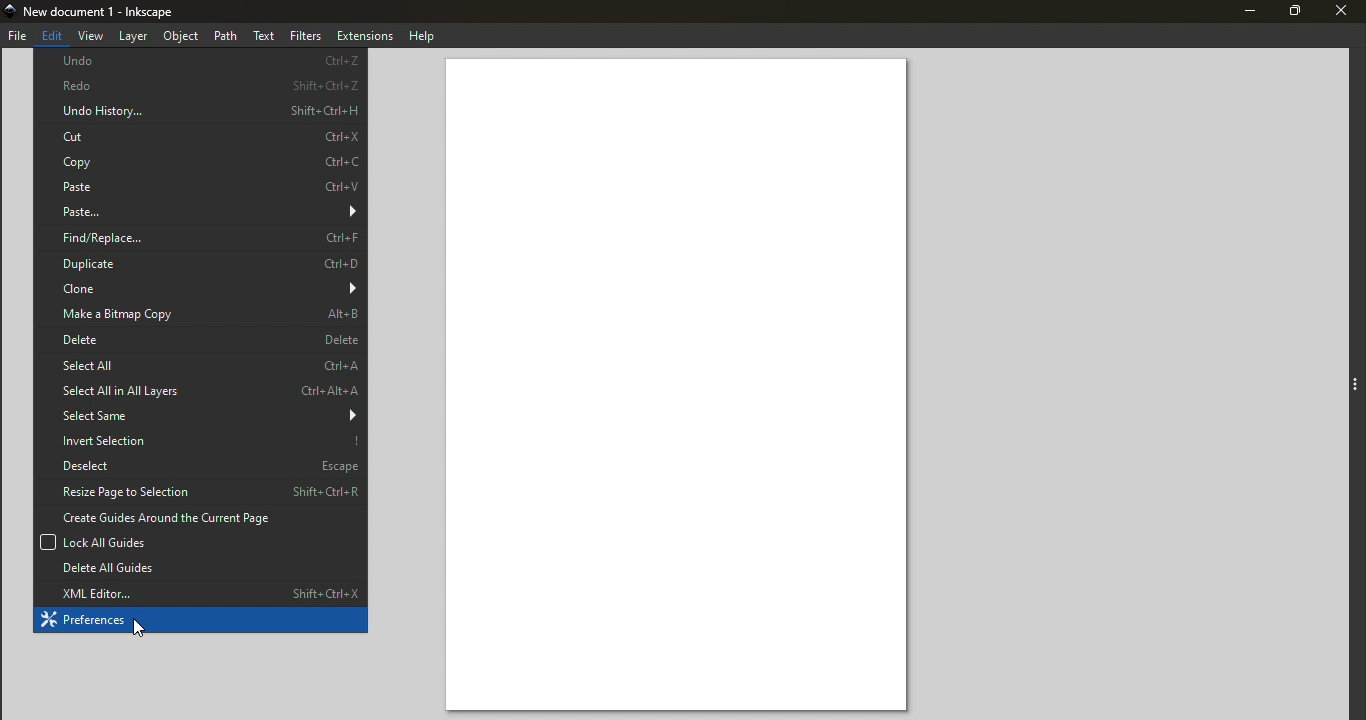  I want to click on Delete all guides, so click(200, 567).